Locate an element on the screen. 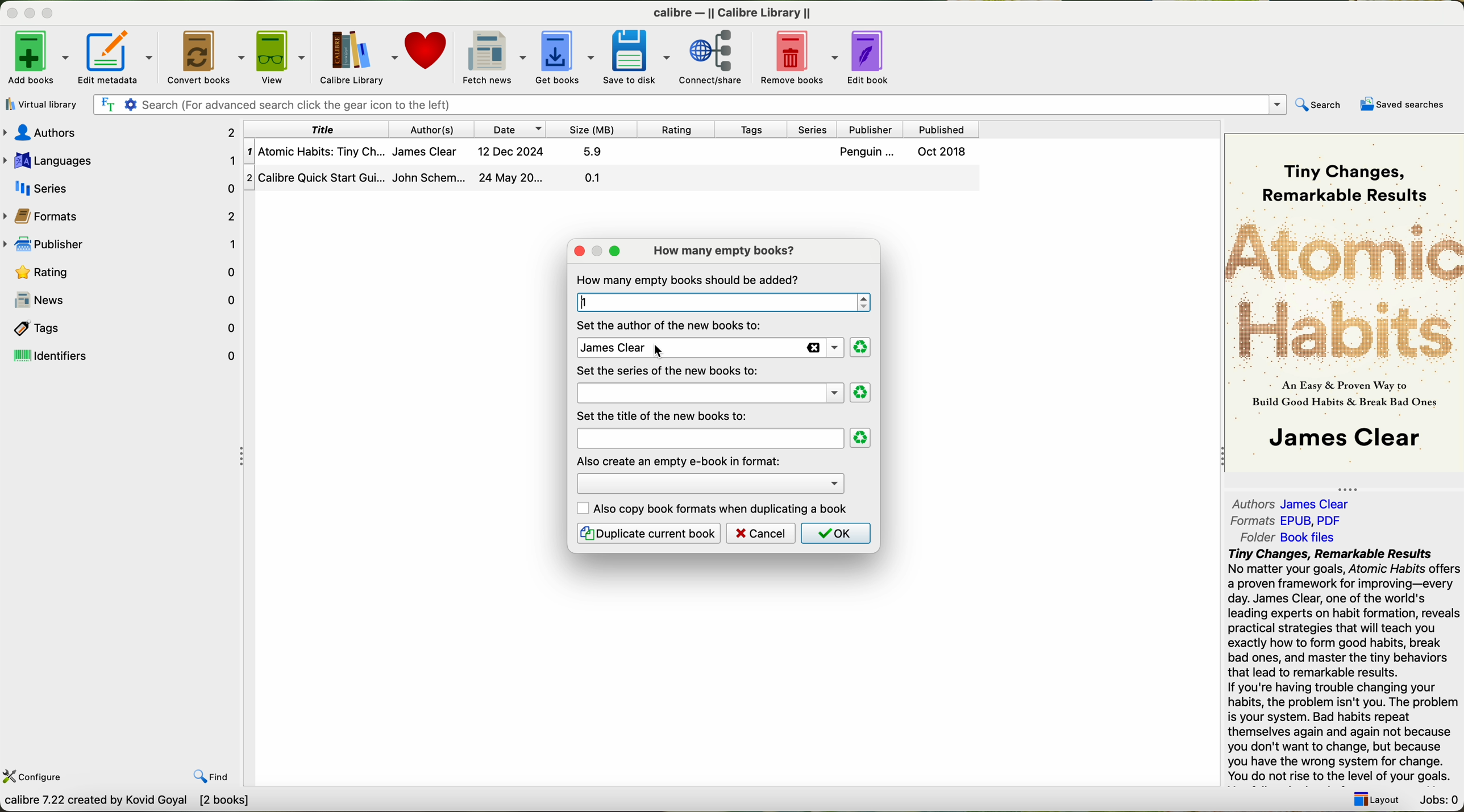  close program is located at coordinates (9, 9).